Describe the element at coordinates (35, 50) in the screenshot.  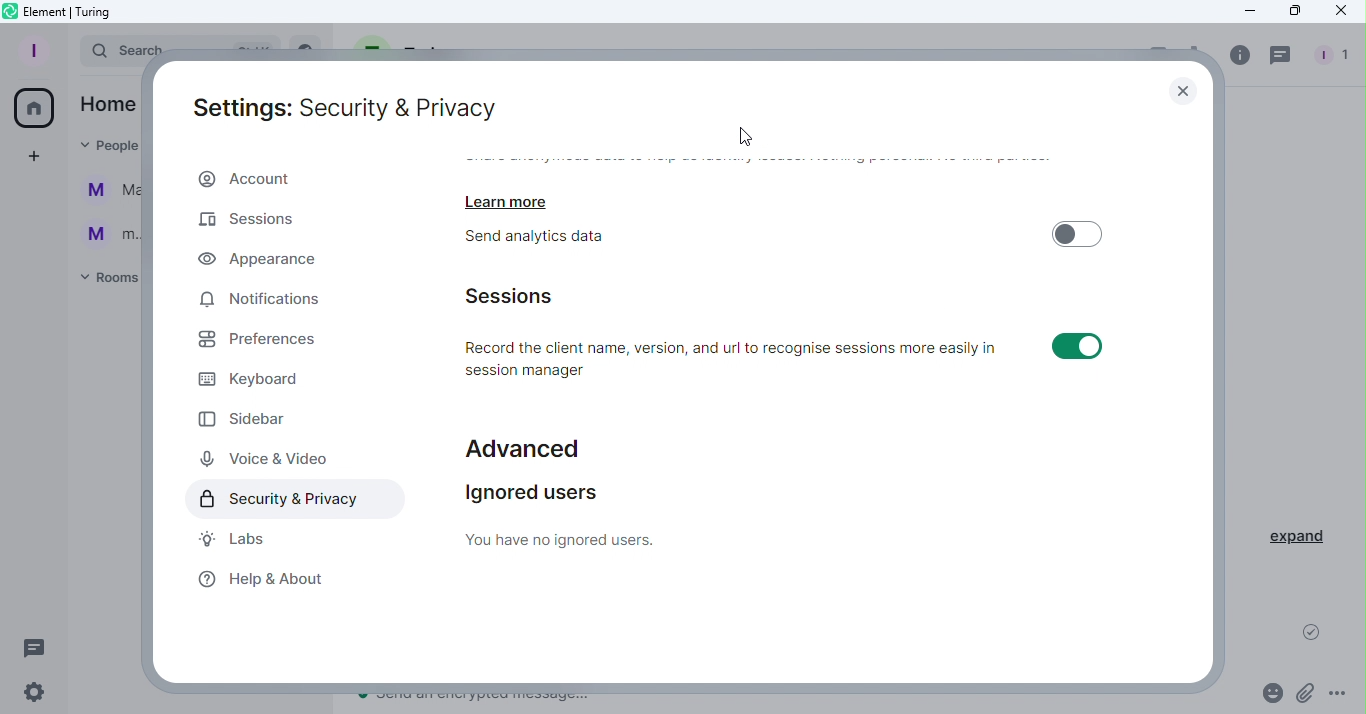
I see `Profile` at that location.